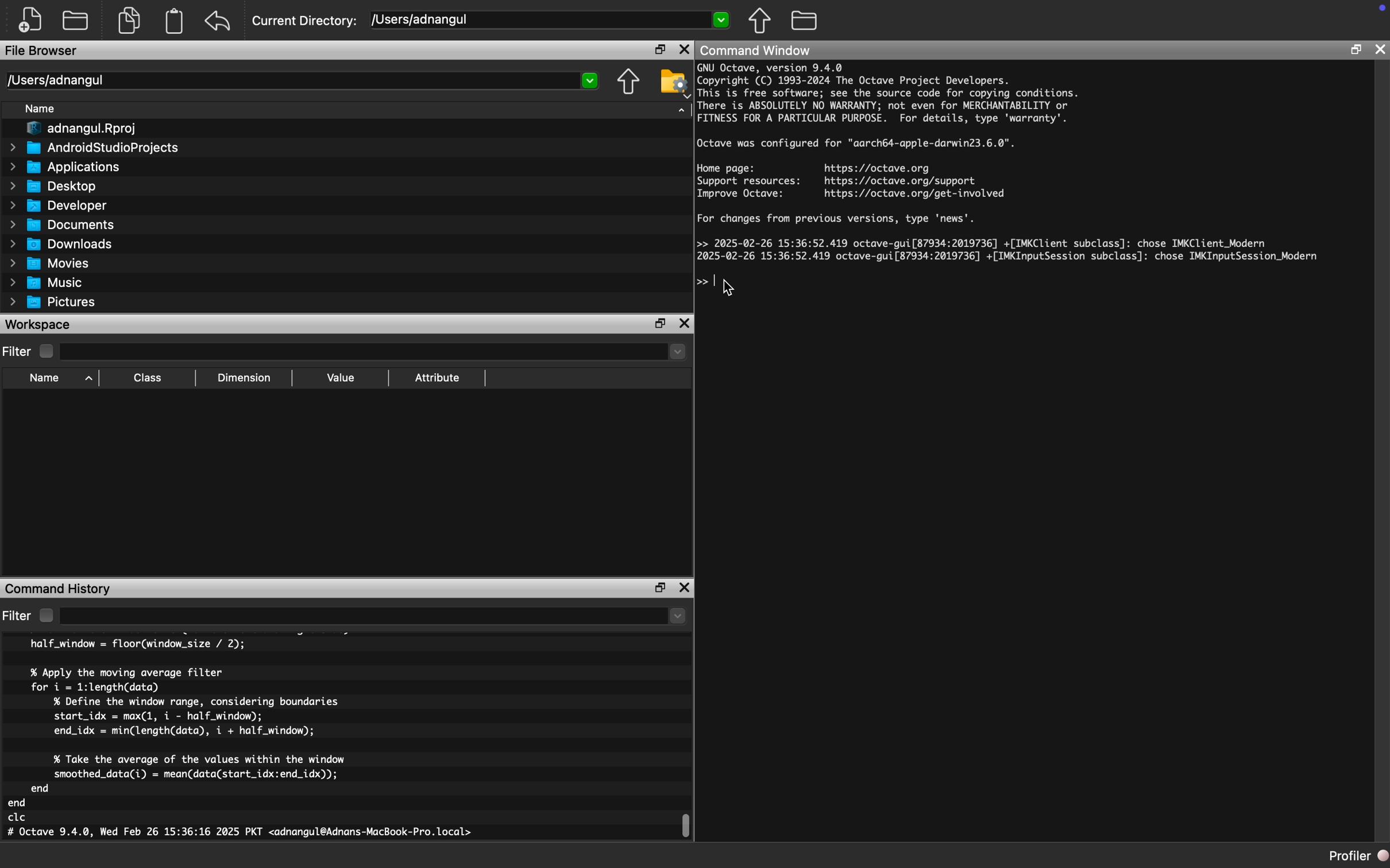 The width and height of the screenshot is (1390, 868). I want to click on Close, so click(1379, 51).